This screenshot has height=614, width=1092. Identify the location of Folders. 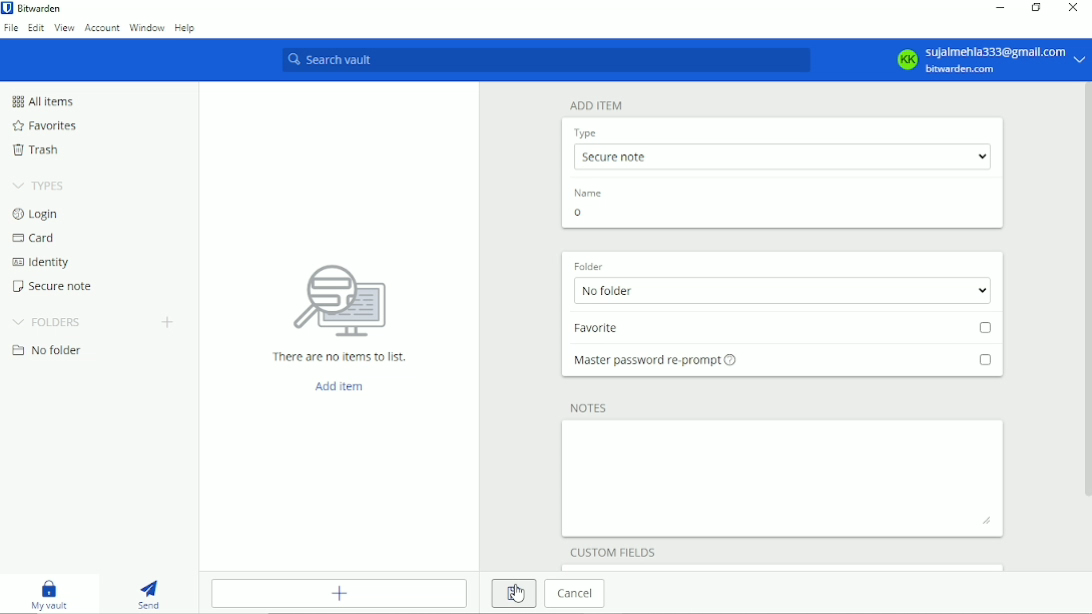
(48, 321).